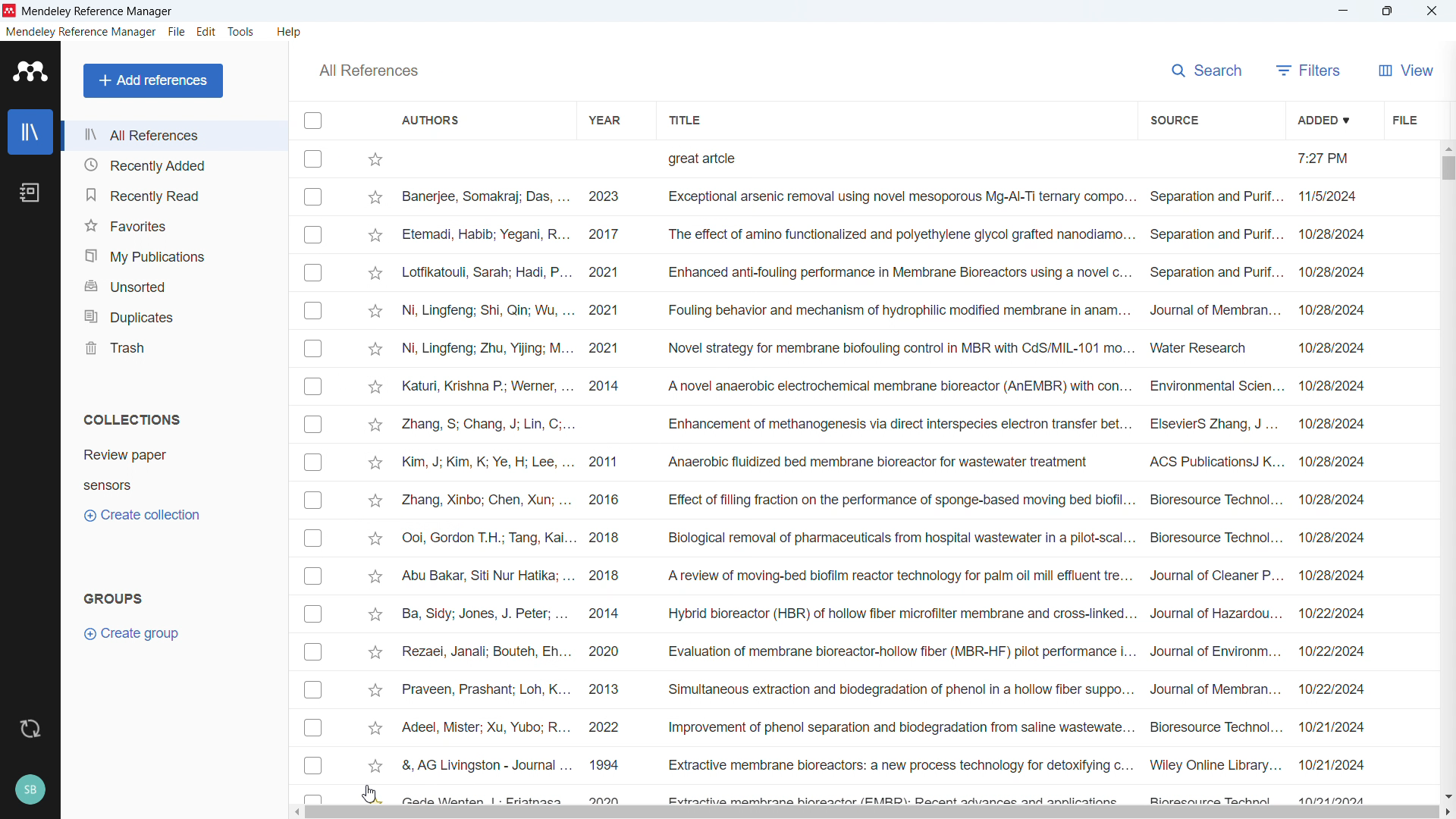 Image resolution: width=1456 pixels, height=819 pixels. Describe the element at coordinates (1406, 70) in the screenshot. I see `View ` at that location.